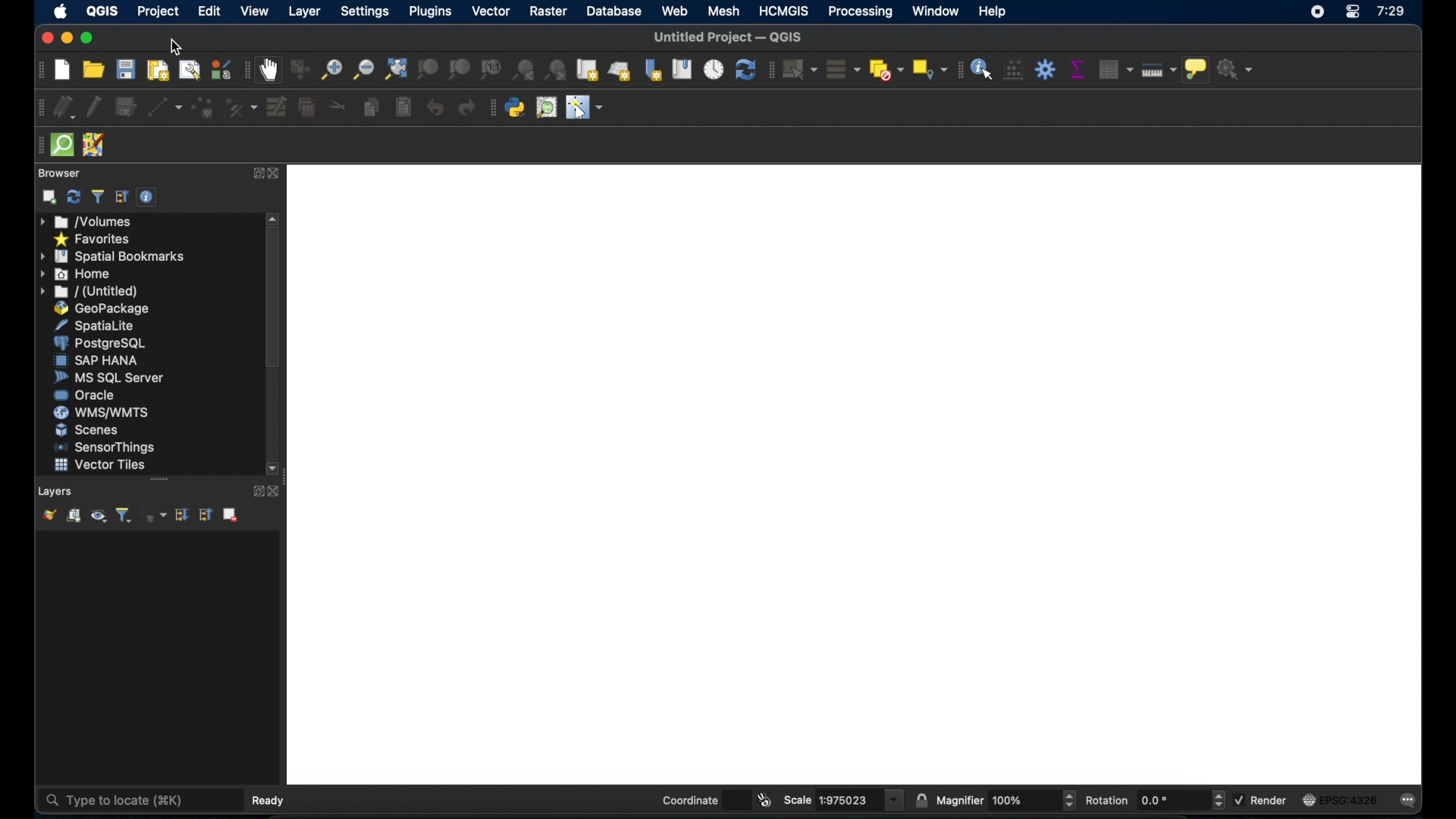  What do you see at coordinates (49, 516) in the screenshot?
I see `open layer styling panel` at bounding box center [49, 516].